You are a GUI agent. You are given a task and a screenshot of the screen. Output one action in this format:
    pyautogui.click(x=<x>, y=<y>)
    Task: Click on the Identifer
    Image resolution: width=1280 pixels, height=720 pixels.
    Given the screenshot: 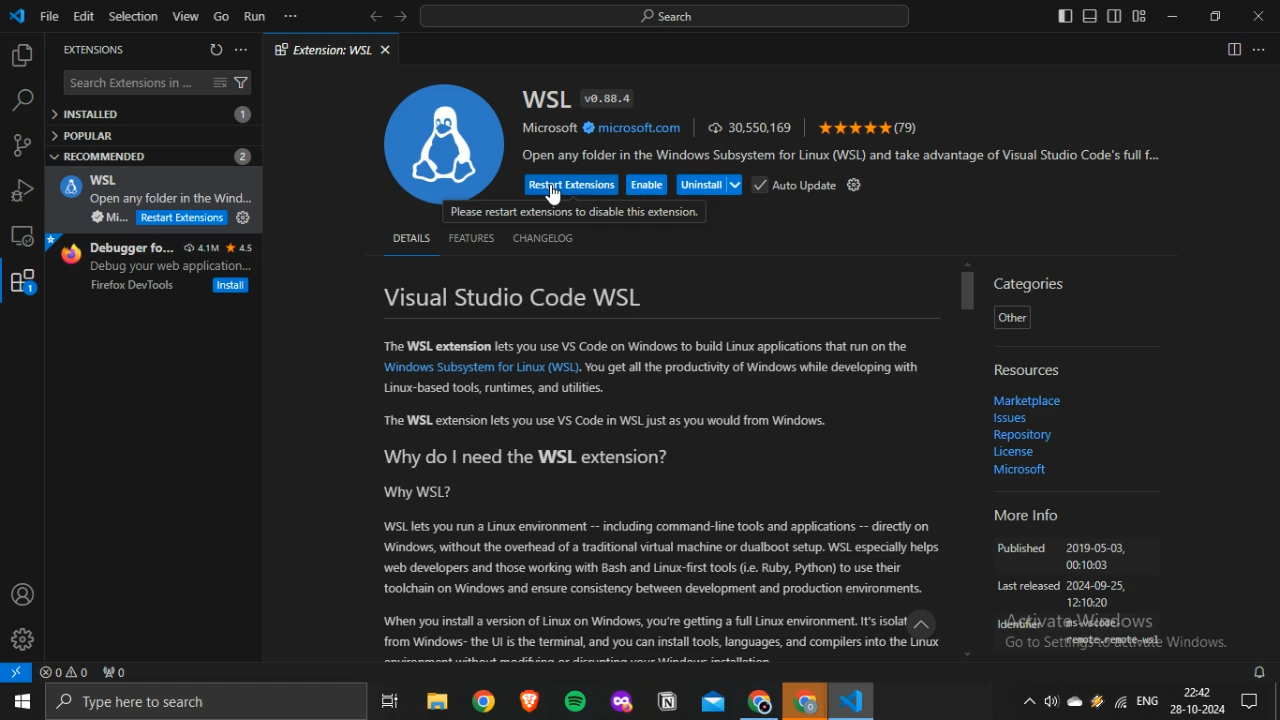 What is the action you would take?
    pyautogui.click(x=1020, y=625)
    